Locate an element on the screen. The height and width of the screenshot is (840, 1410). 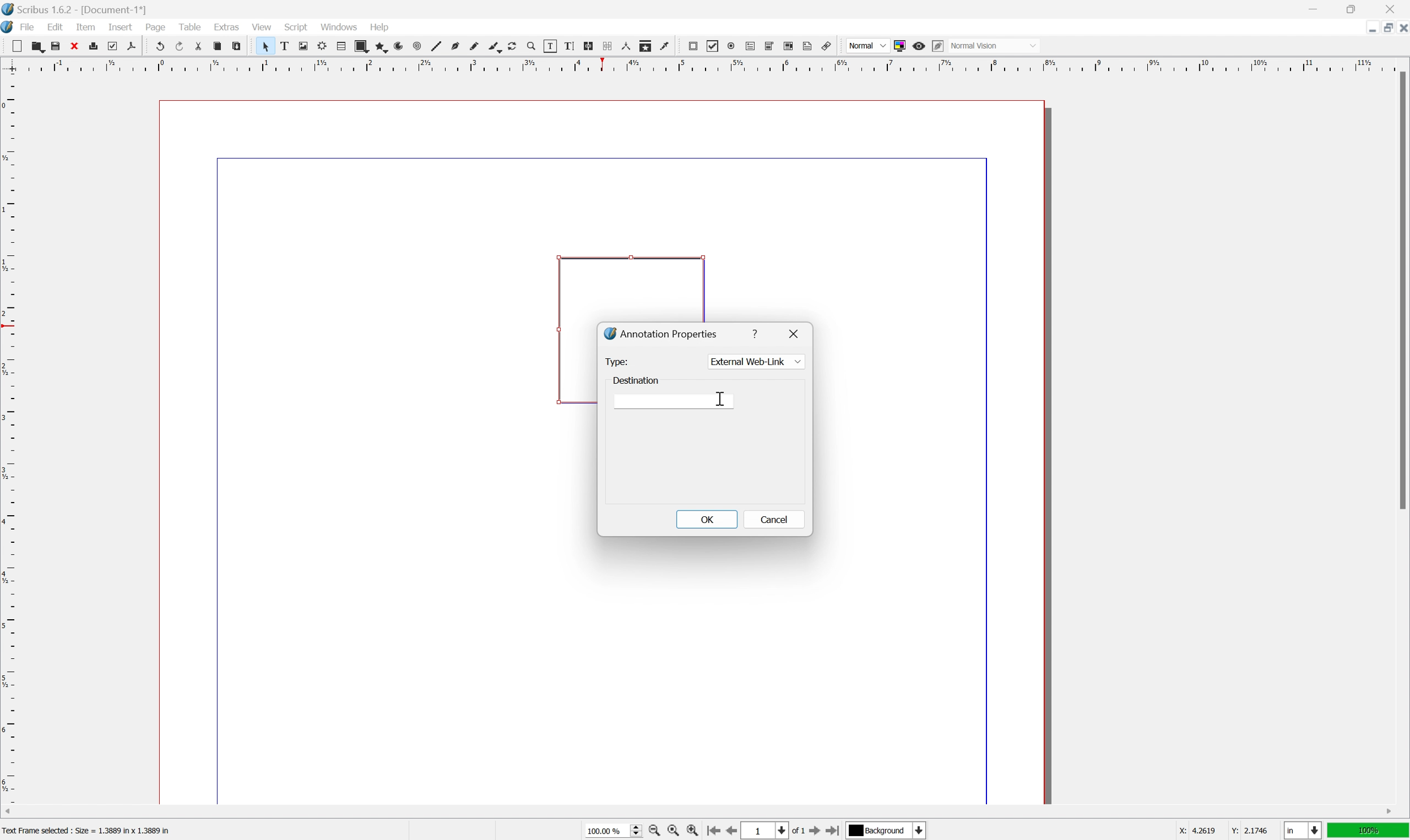
save is located at coordinates (56, 46).